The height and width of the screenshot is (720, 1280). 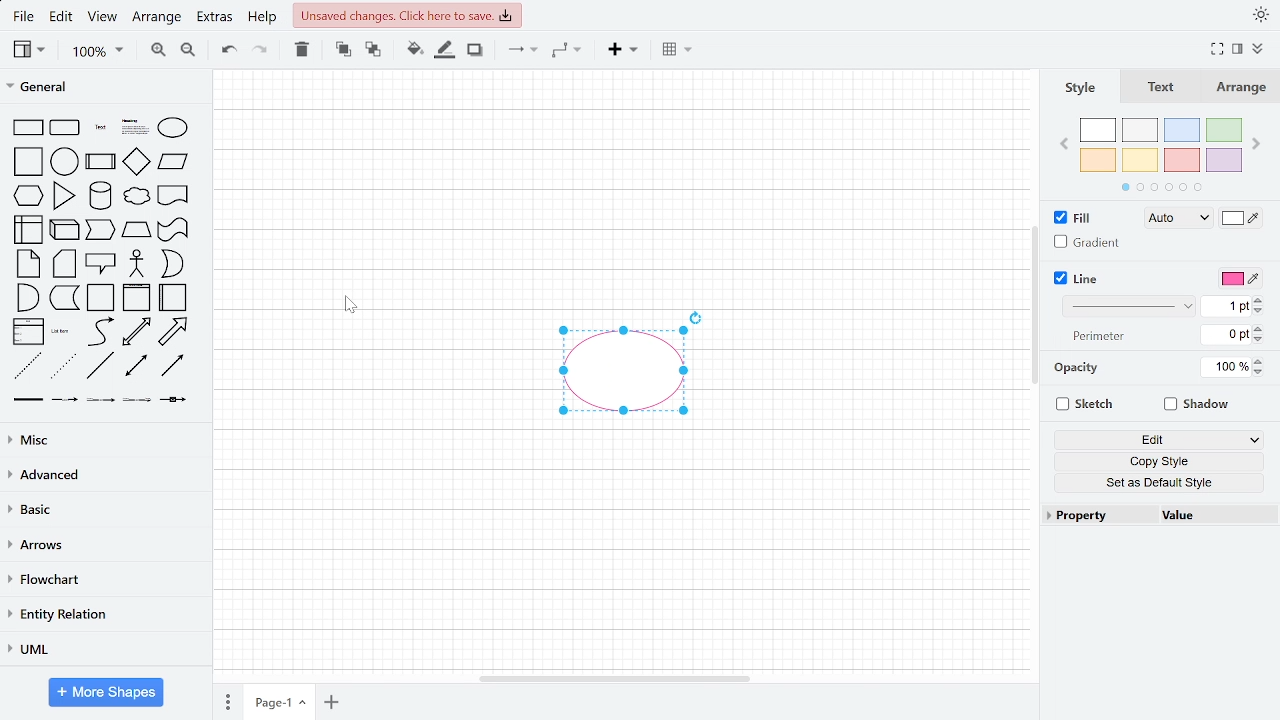 What do you see at coordinates (1066, 144) in the screenshot?
I see `Previous` at bounding box center [1066, 144].